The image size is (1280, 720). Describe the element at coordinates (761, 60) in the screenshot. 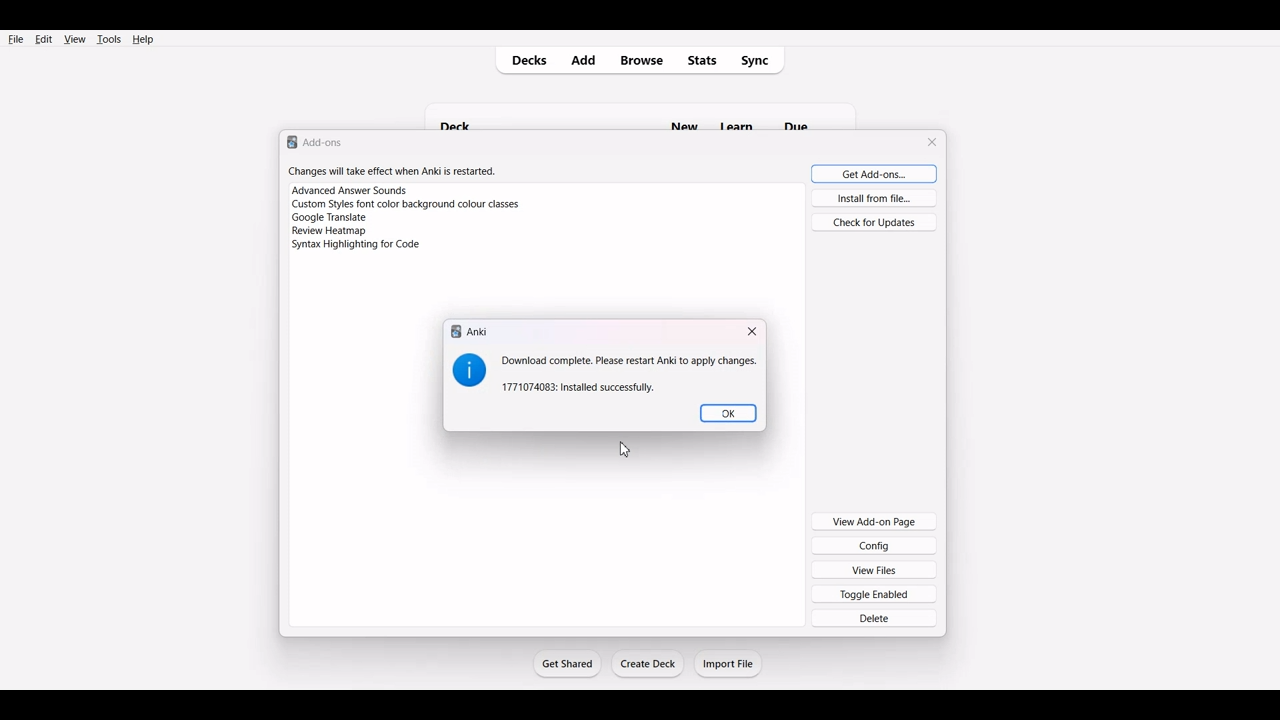

I see `Sync` at that location.